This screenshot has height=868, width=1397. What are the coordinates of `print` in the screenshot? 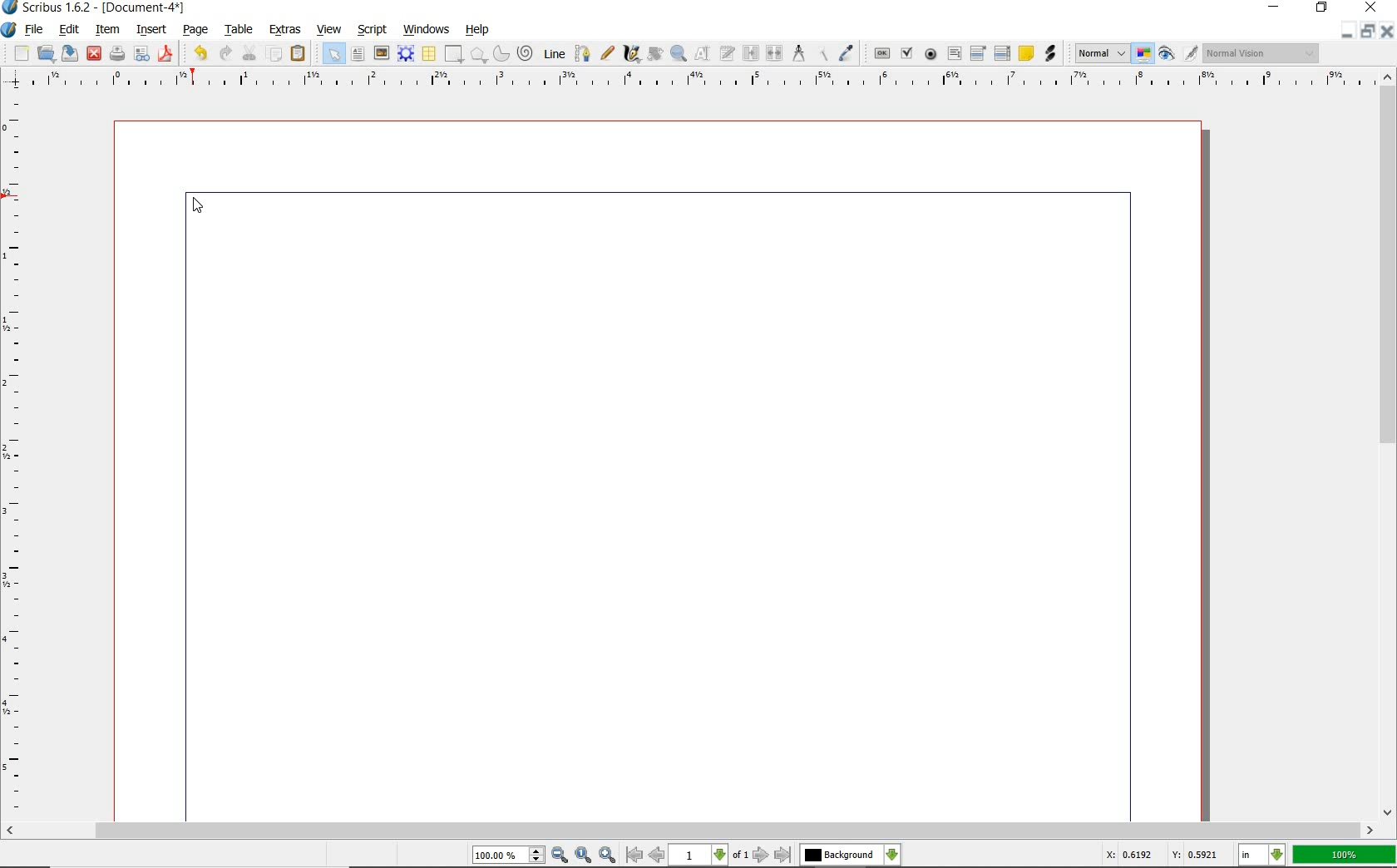 It's located at (116, 54).